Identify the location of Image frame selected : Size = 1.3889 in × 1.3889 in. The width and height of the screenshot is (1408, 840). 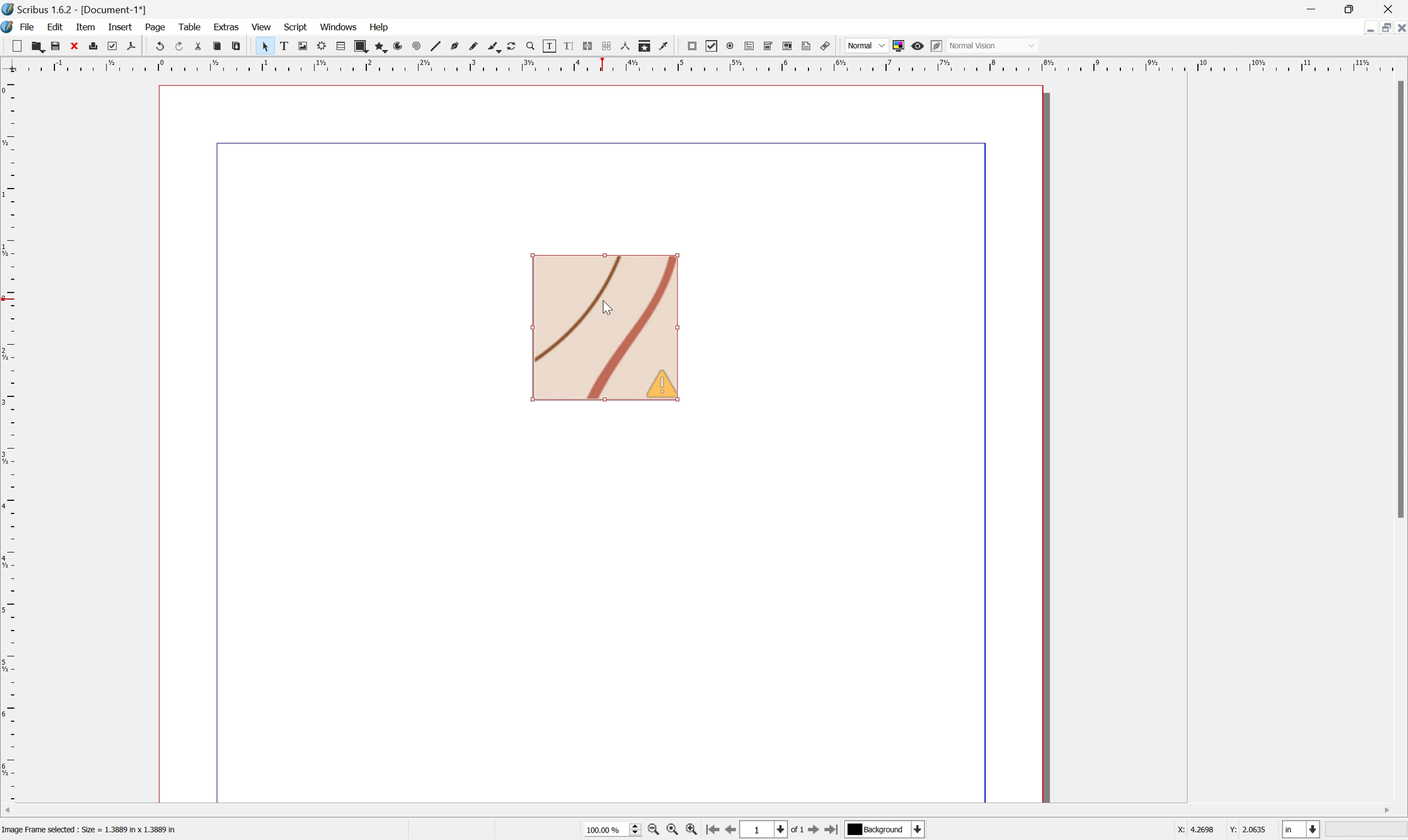
(92, 831).